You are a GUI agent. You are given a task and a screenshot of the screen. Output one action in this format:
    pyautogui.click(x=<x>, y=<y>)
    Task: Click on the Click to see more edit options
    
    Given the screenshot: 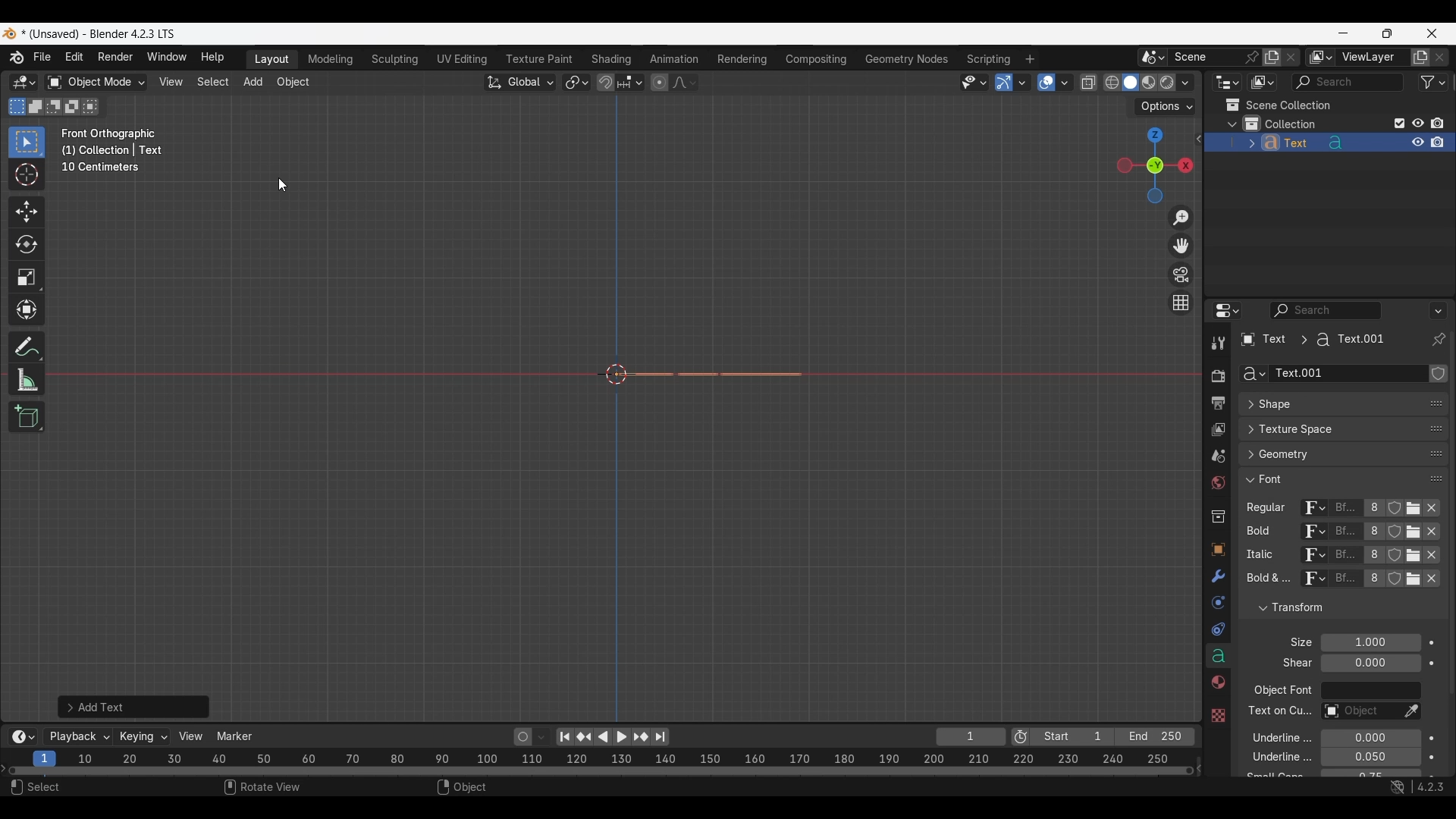 What is the action you would take?
    pyautogui.click(x=1197, y=139)
    